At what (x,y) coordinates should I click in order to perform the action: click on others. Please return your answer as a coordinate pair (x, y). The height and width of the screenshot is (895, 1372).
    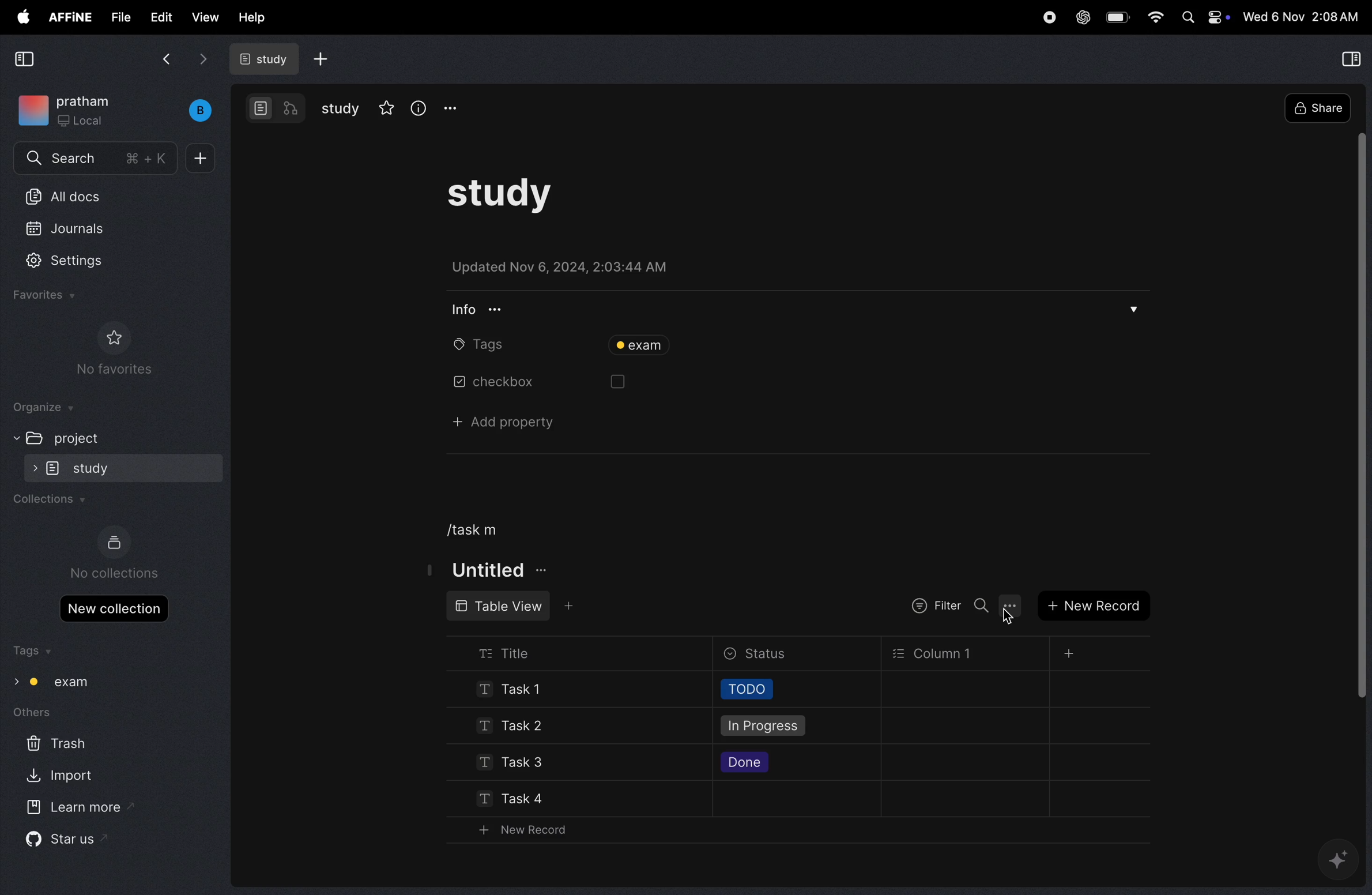
    Looking at the image, I should click on (70, 712).